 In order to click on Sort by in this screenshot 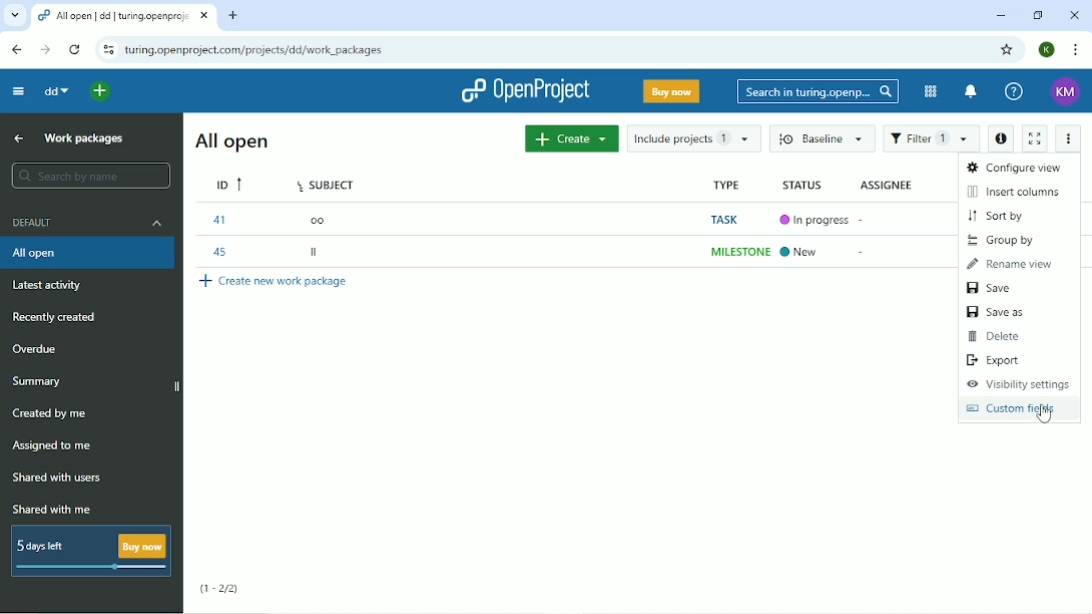, I will do `click(999, 216)`.